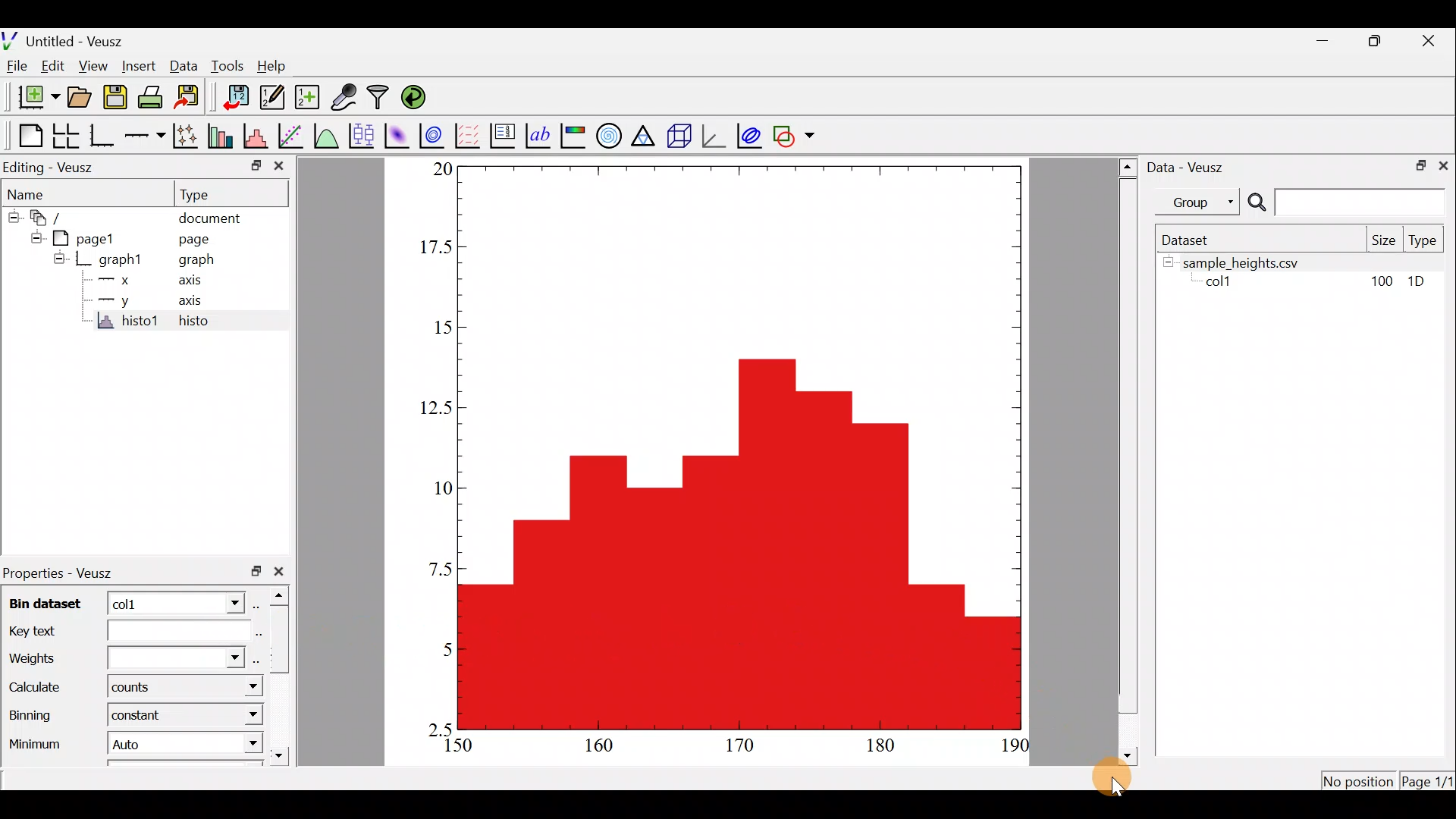 This screenshot has width=1456, height=819. What do you see at coordinates (93, 67) in the screenshot?
I see `View` at bounding box center [93, 67].